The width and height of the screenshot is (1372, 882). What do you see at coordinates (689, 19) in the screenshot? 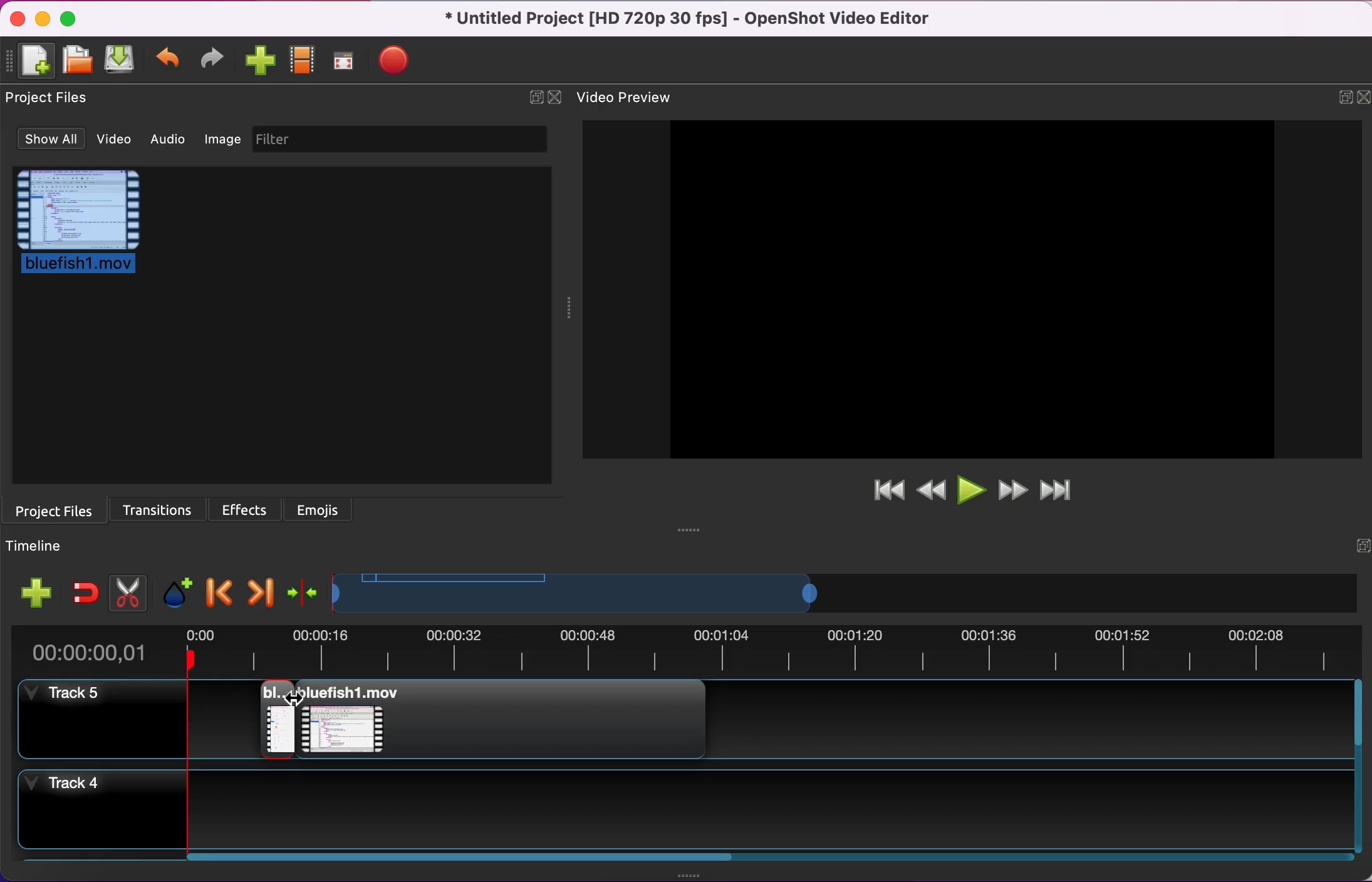
I see `title` at bounding box center [689, 19].